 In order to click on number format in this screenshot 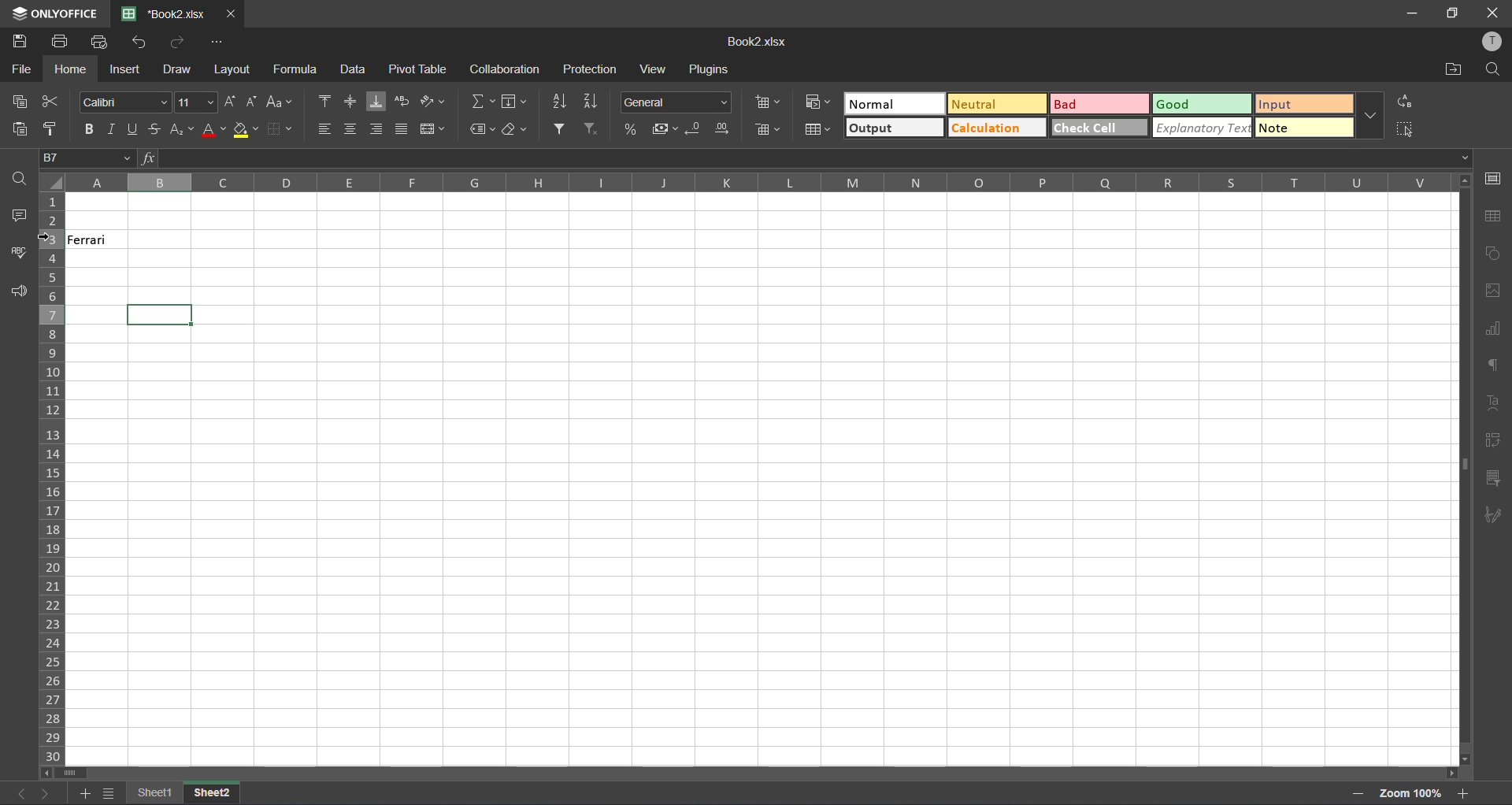, I will do `click(675, 101)`.